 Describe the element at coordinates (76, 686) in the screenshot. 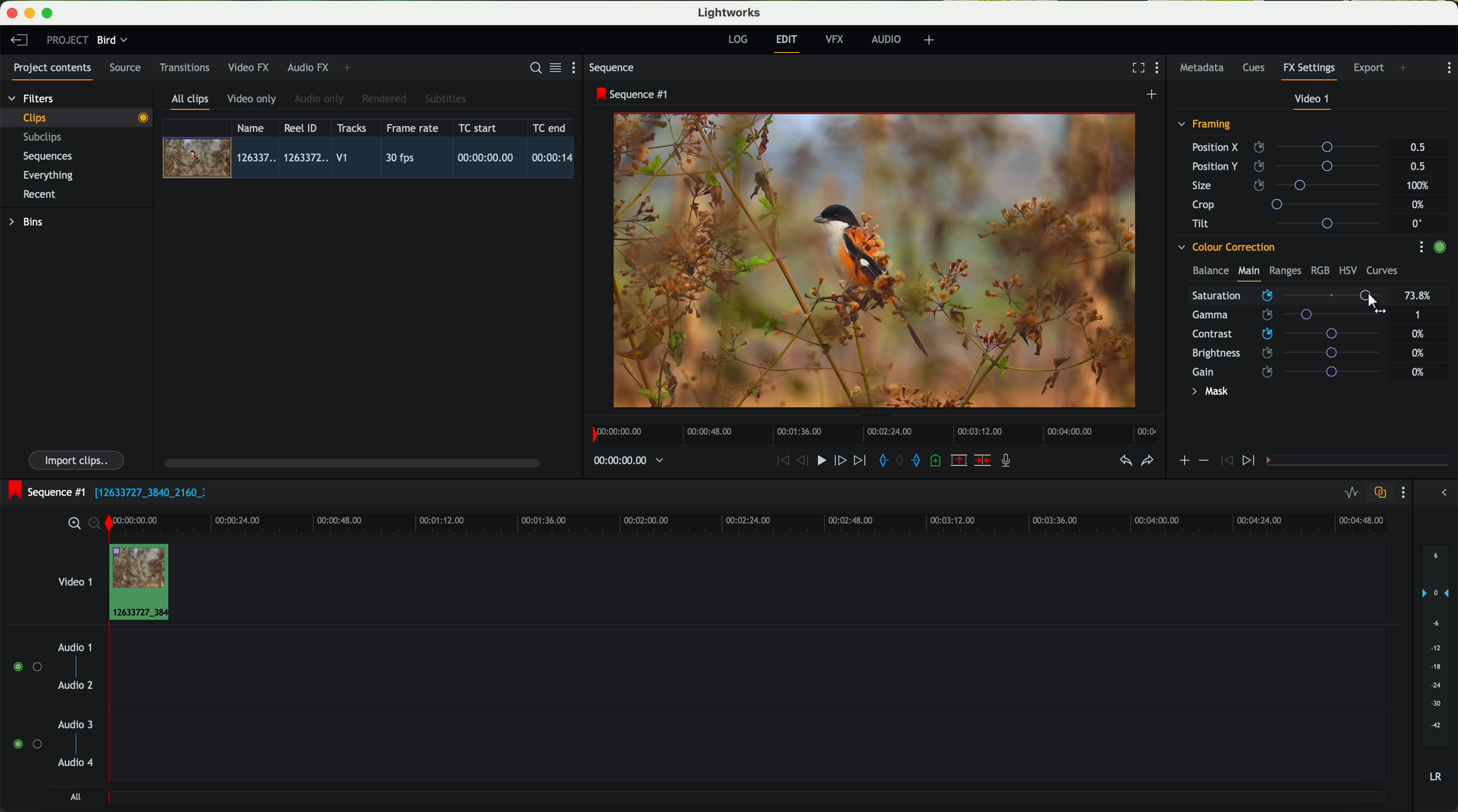

I see `audio 2` at that location.